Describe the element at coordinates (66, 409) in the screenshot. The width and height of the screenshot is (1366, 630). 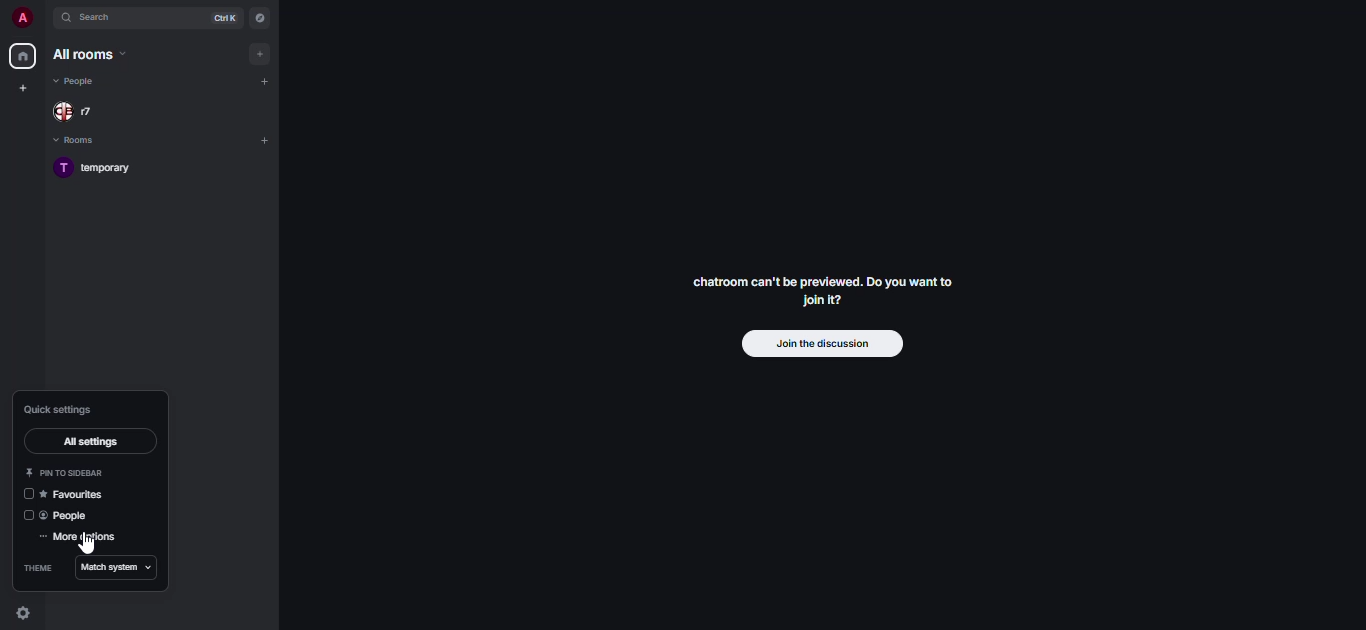
I see `quick settings` at that location.